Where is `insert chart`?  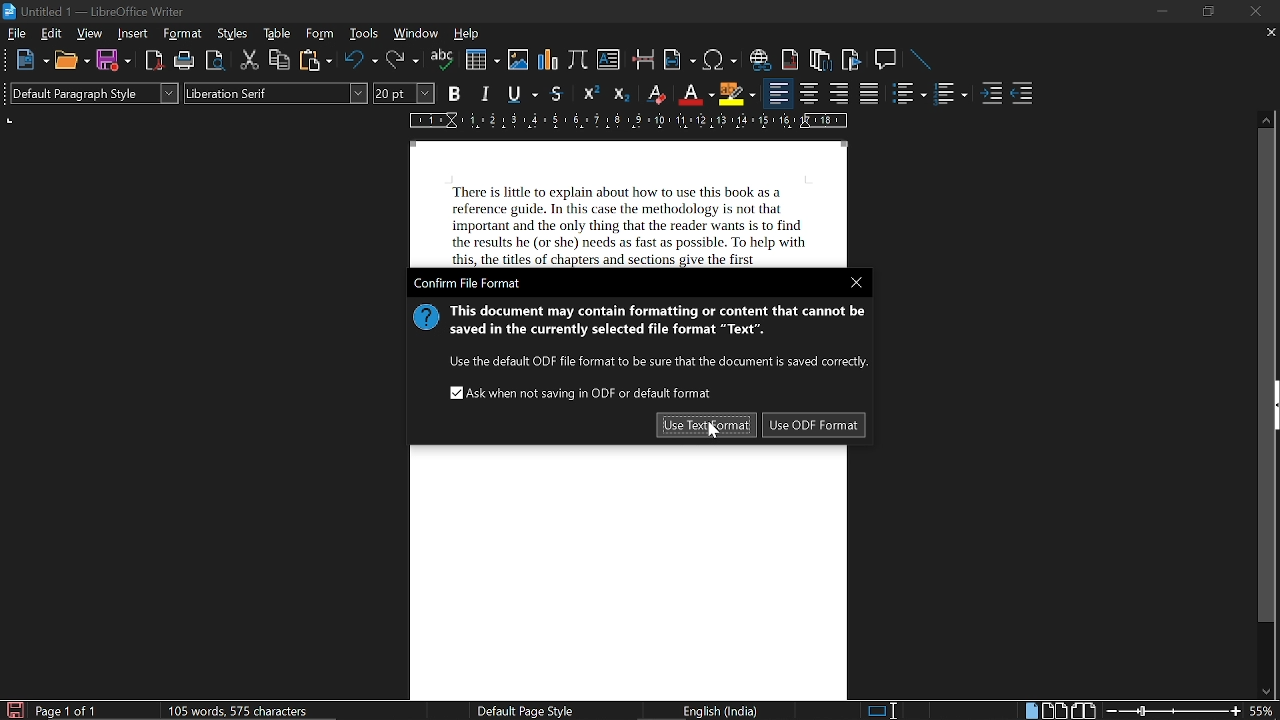
insert chart is located at coordinates (547, 61).